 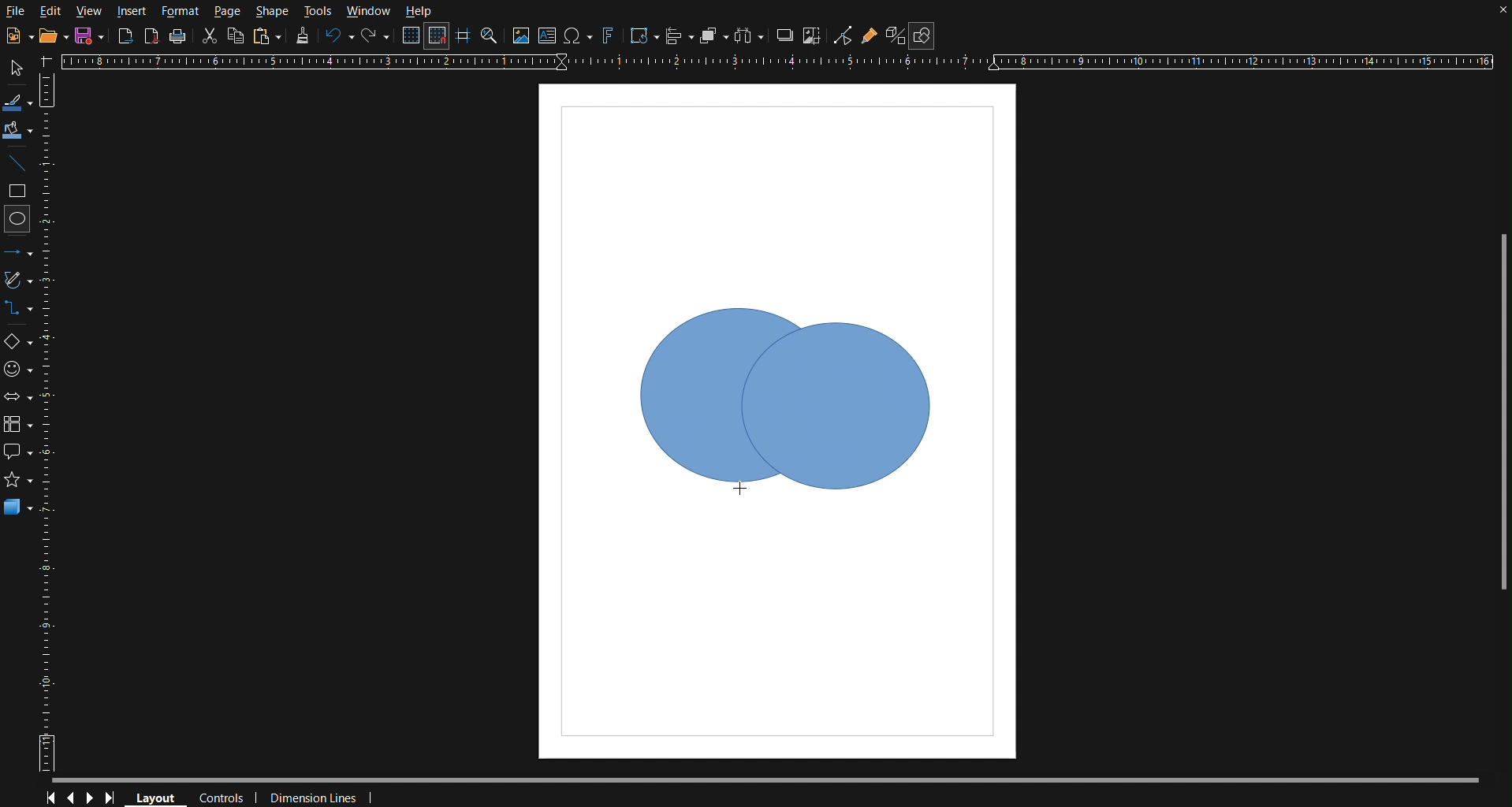 What do you see at coordinates (18, 449) in the screenshot?
I see `Callout Shapes` at bounding box center [18, 449].